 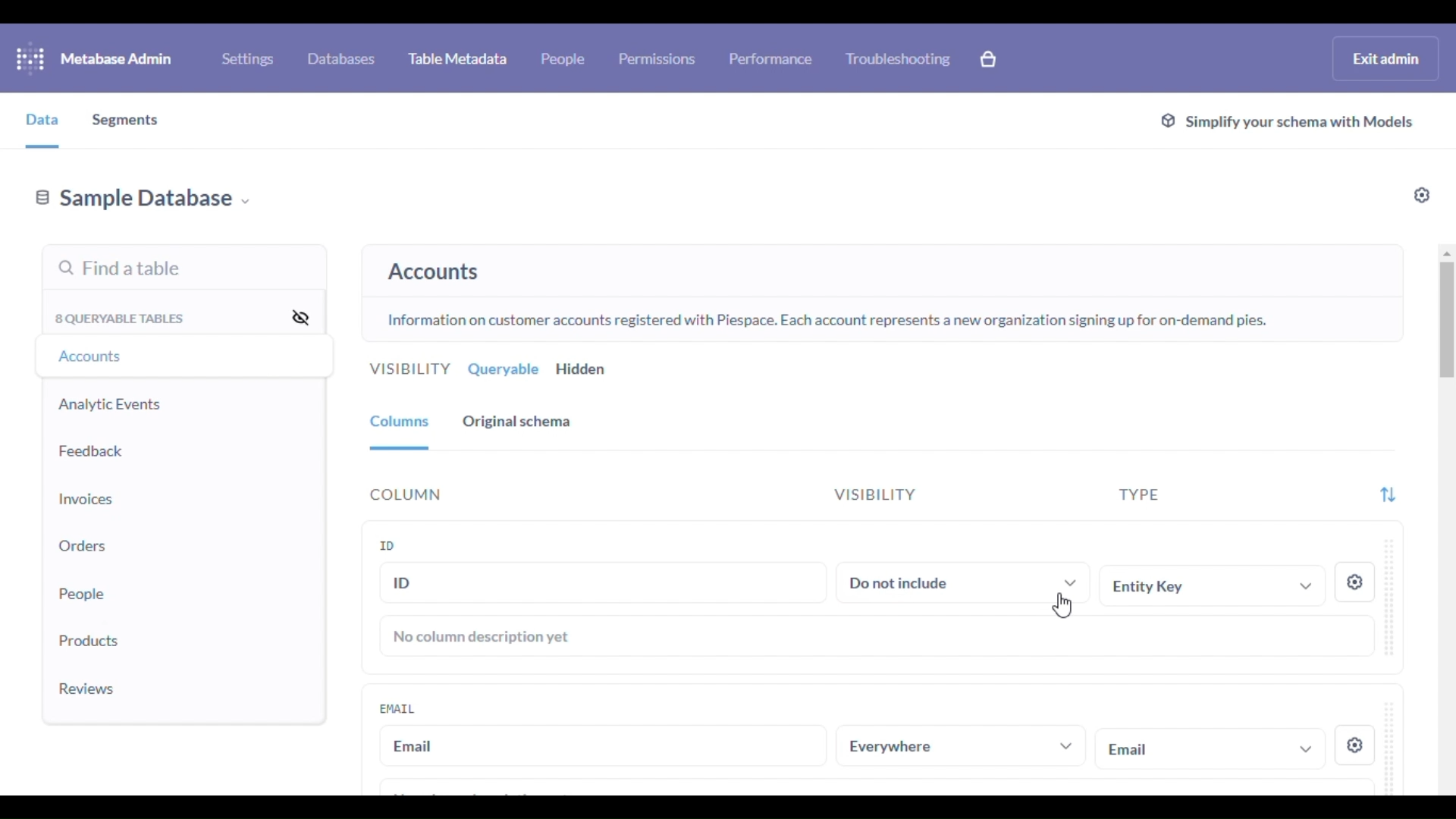 What do you see at coordinates (1447, 324) in the screenshot?
I see `vertical scroll bar` at bounding box center [1447, 324].